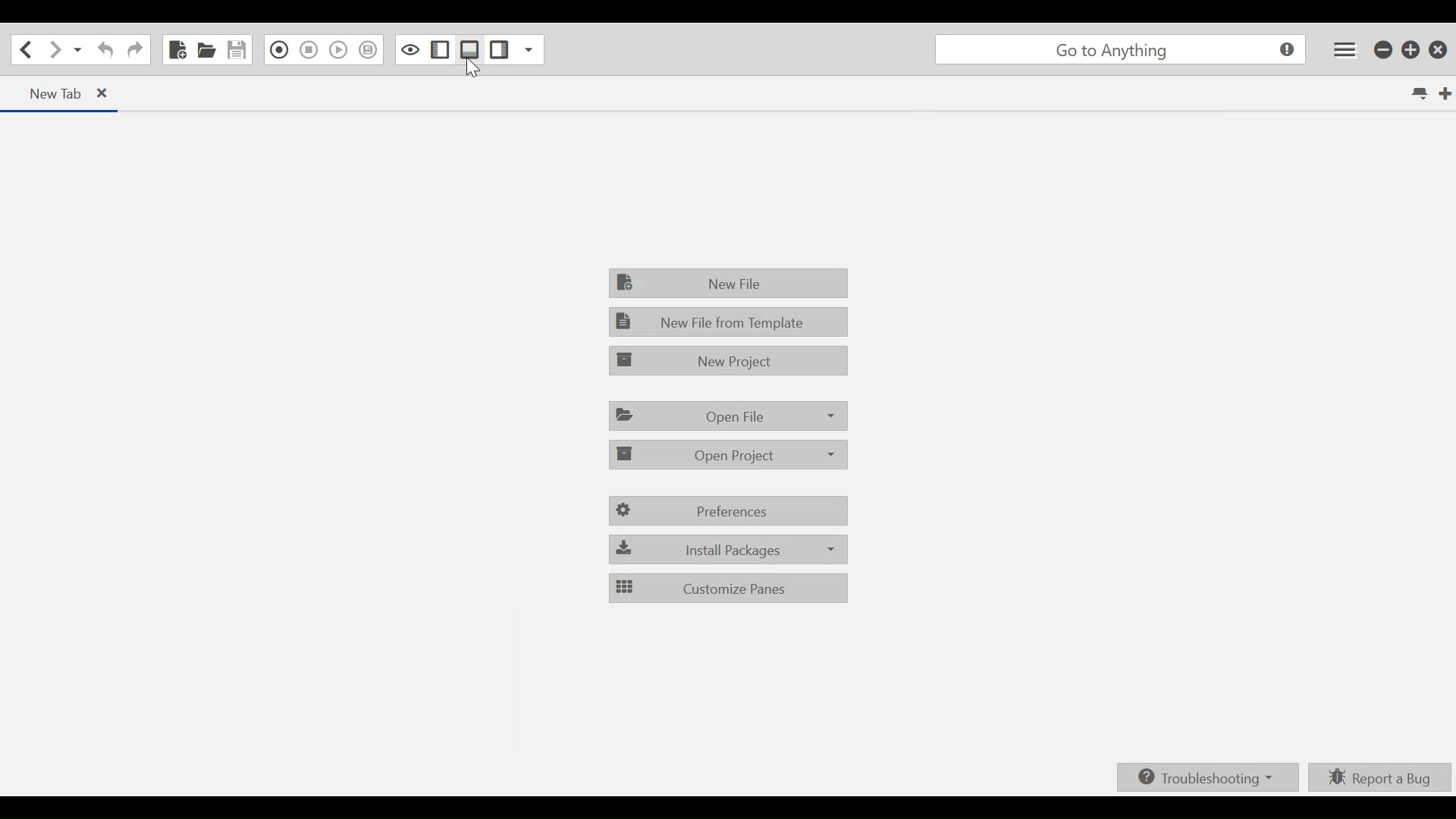 This screenshot has width=1456, height=819. Describe the element at coordinates (279, 50) in the screenshot. I see `Recording in Macro` at that location.